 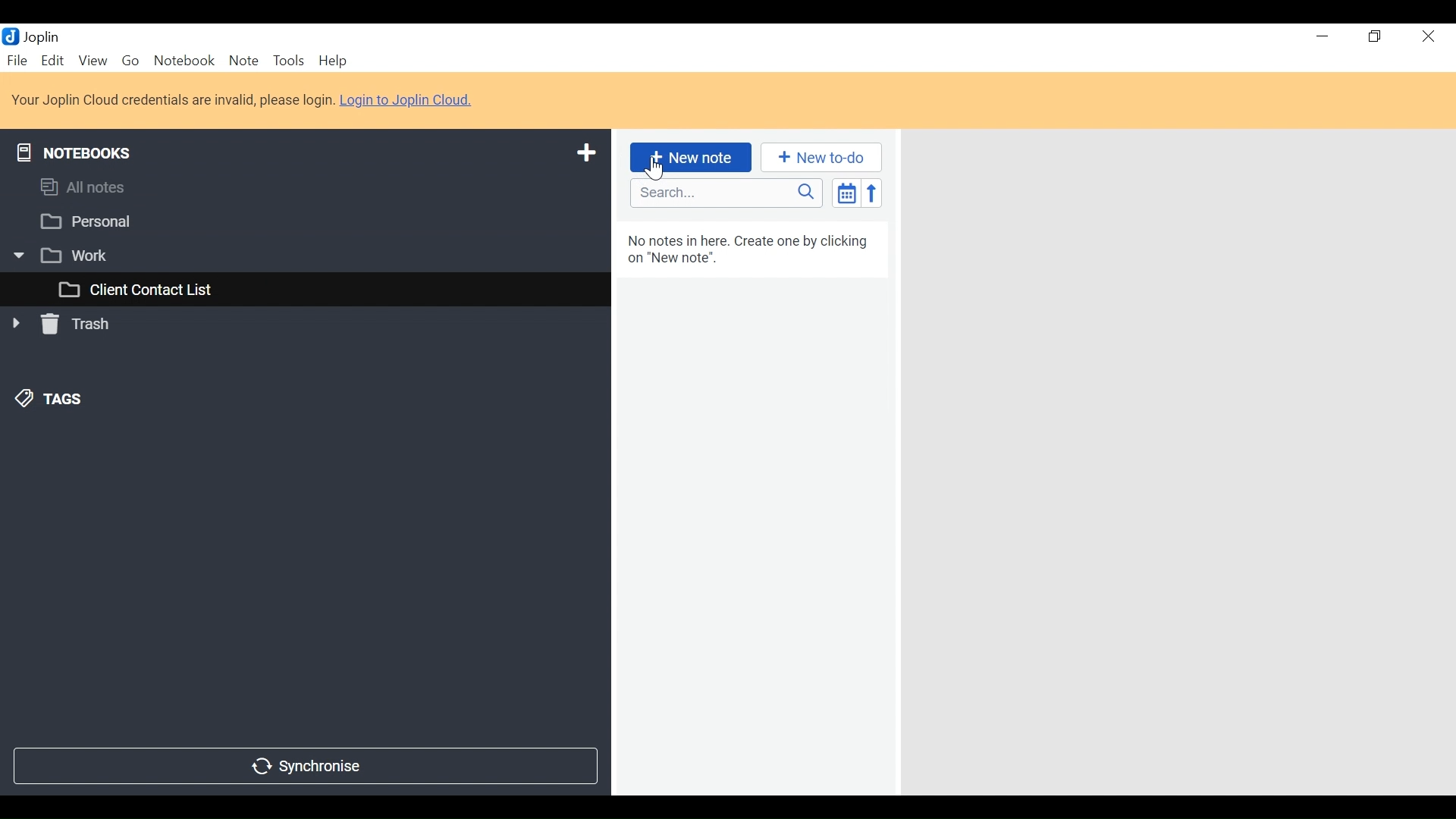 I want to click on minimize, so click(x=1319, y=36).